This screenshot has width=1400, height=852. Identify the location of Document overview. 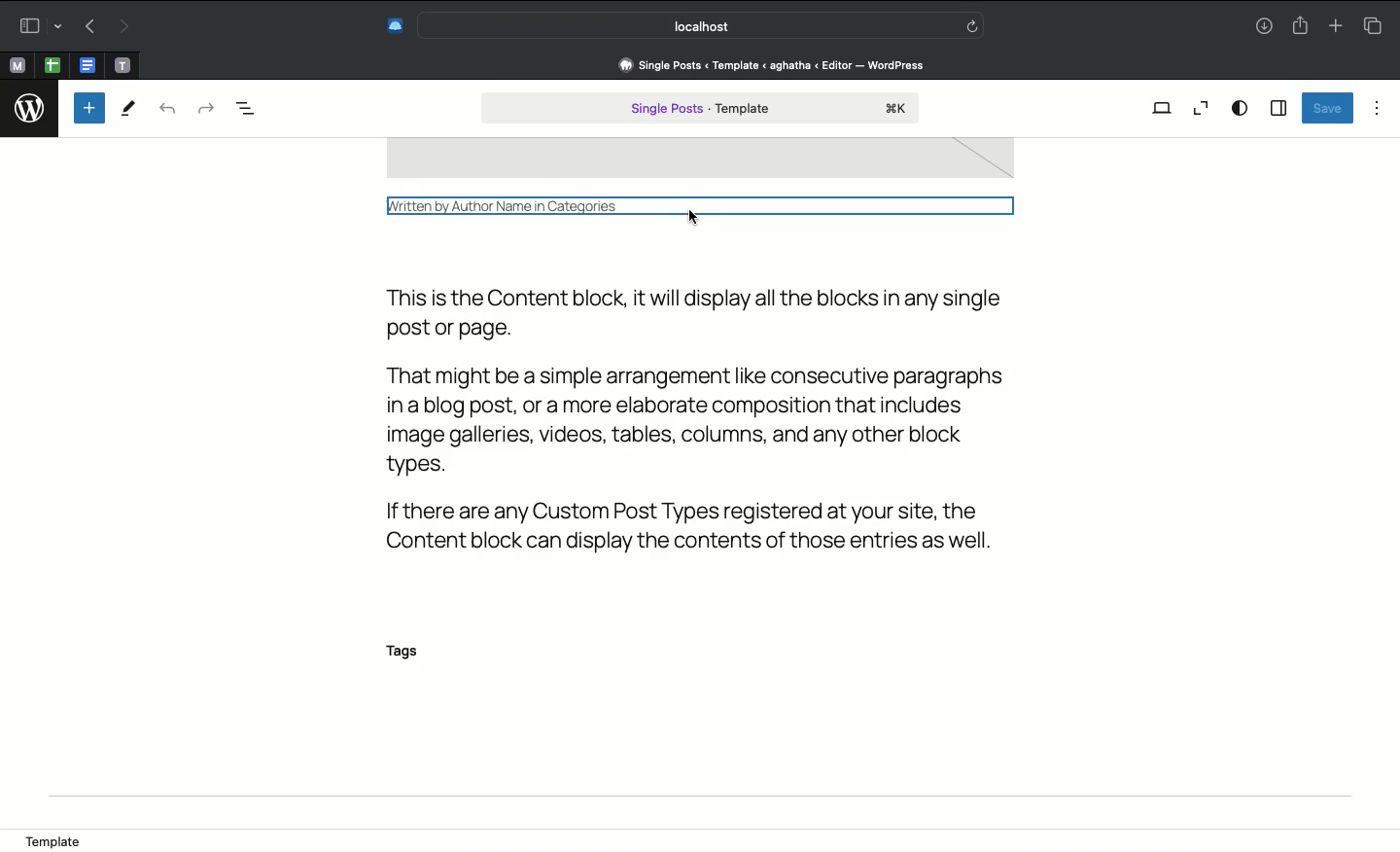
(256, 109).